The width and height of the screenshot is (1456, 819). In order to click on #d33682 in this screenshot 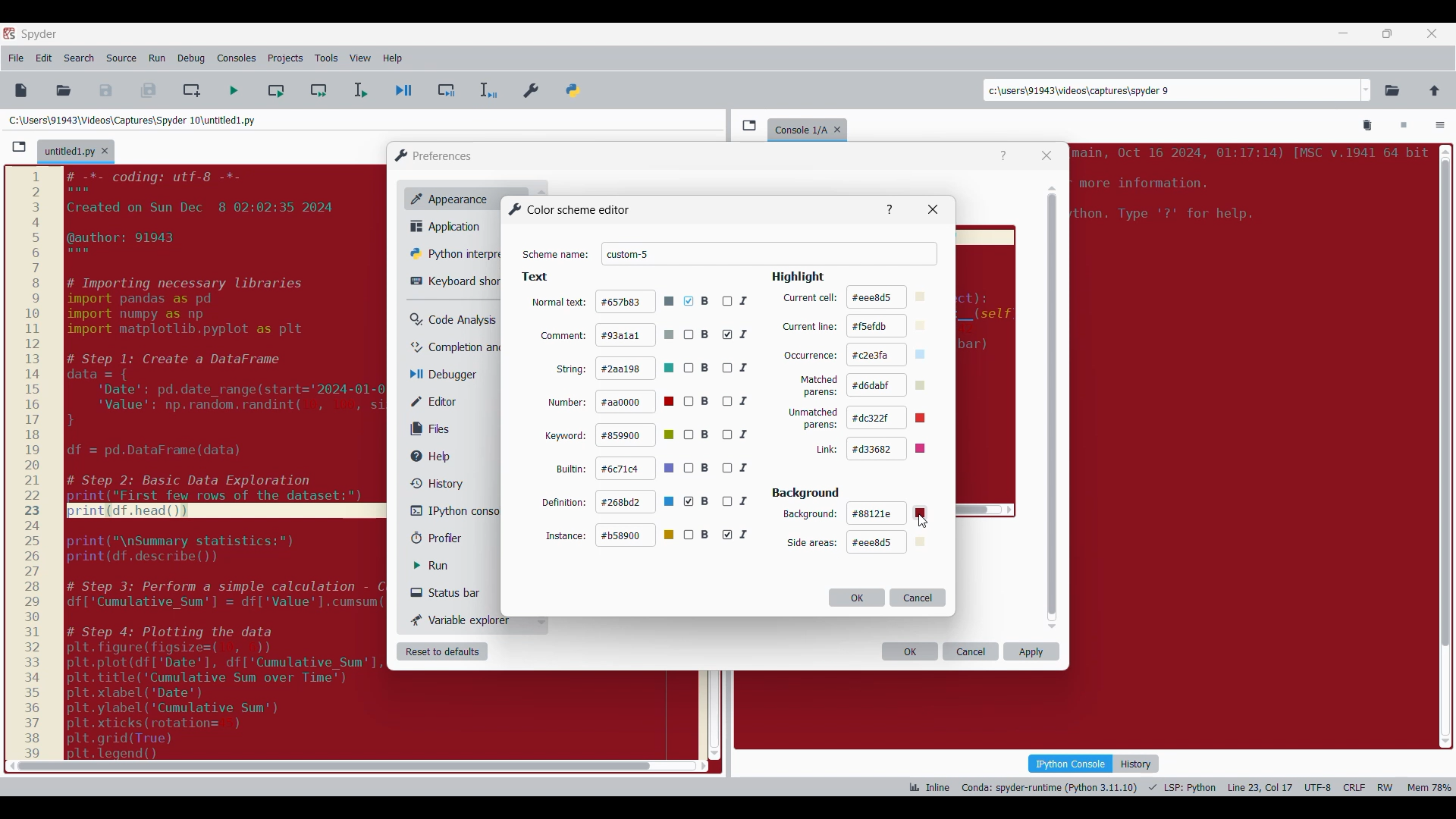, I will do `click(893, 448)`.